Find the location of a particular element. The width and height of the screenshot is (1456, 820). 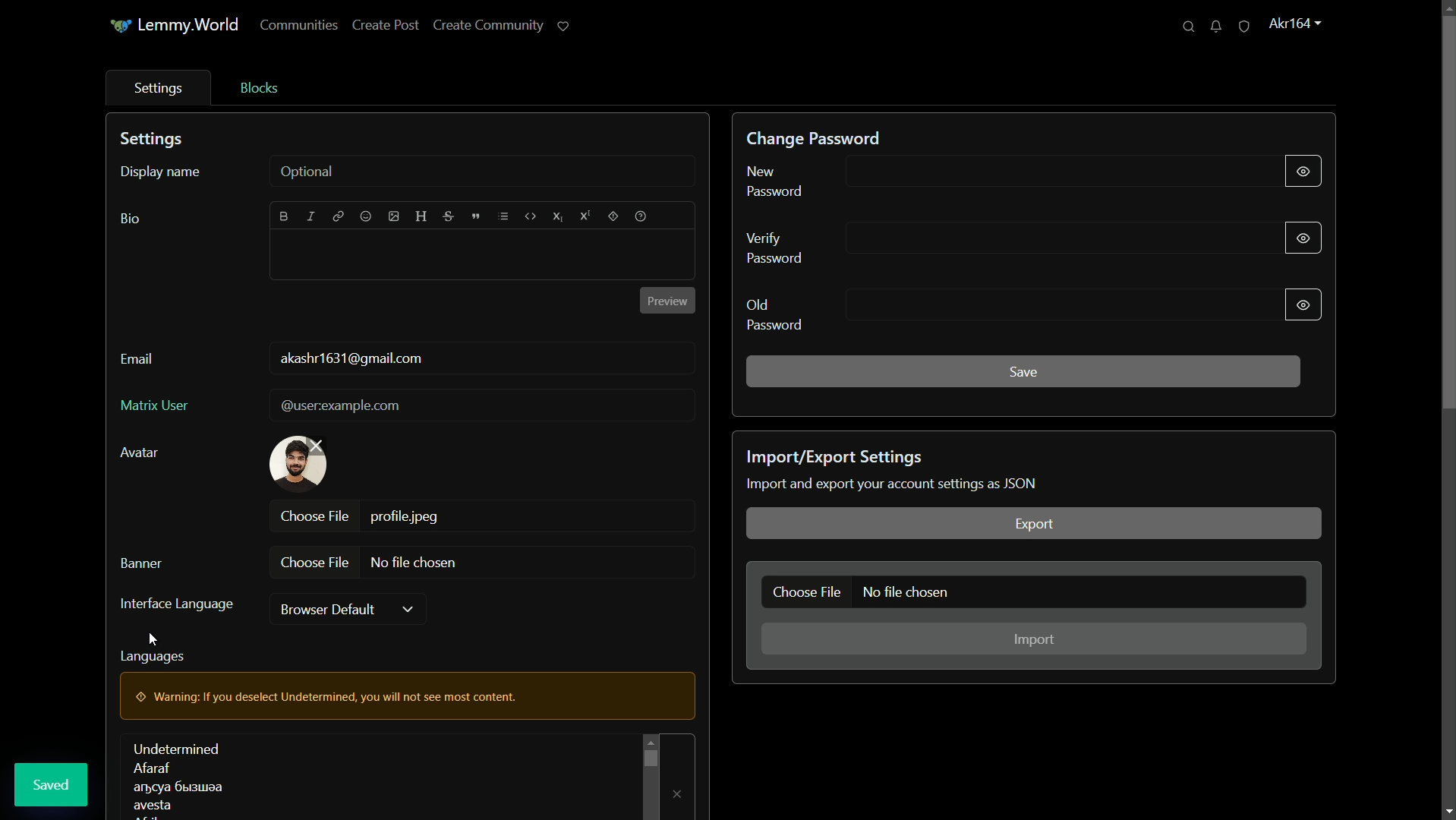

import/export settings is located at coordinates (838, 457).